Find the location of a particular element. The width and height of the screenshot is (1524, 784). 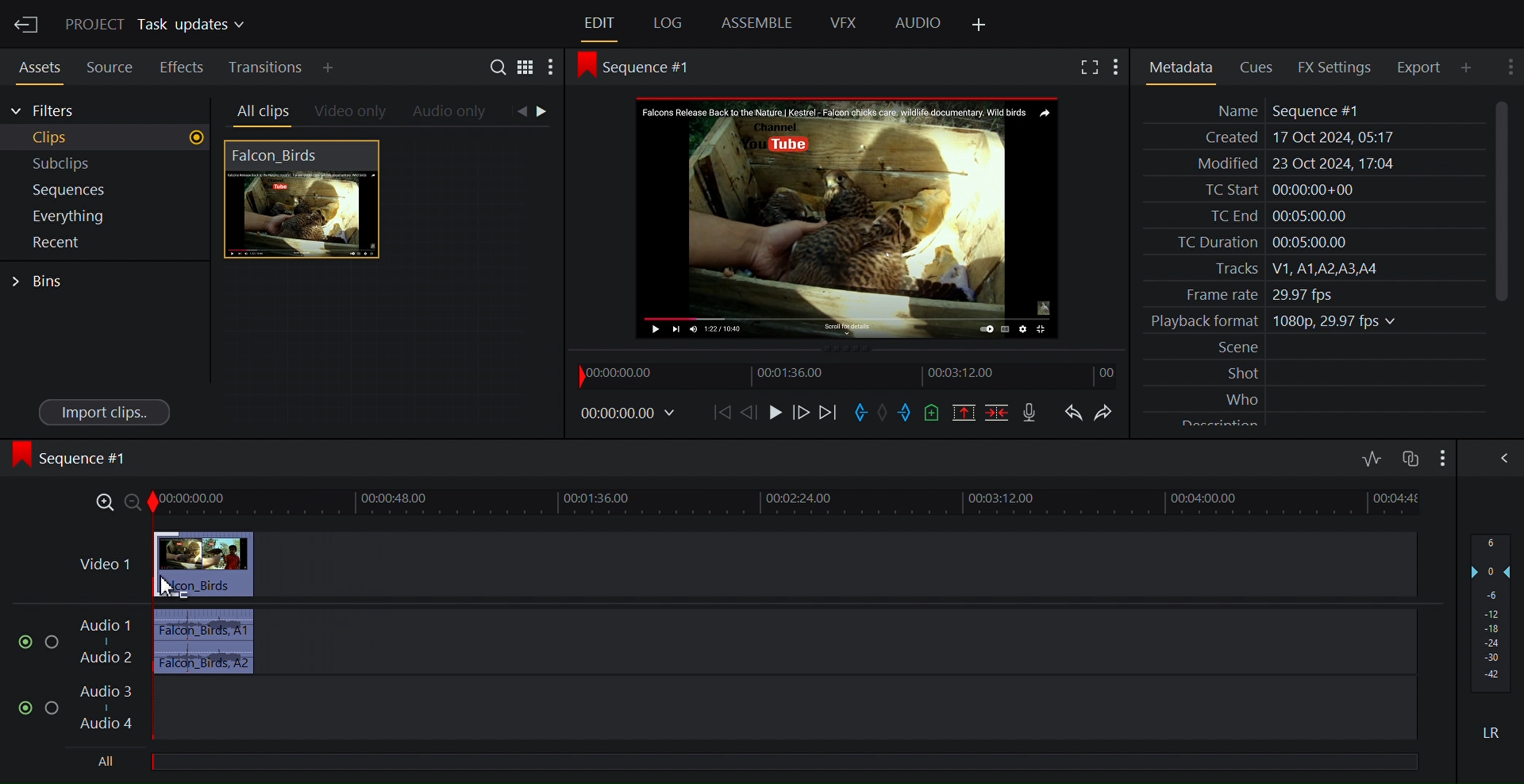

Show/Hide the full audio mix is located at coordinates (1501, 458).